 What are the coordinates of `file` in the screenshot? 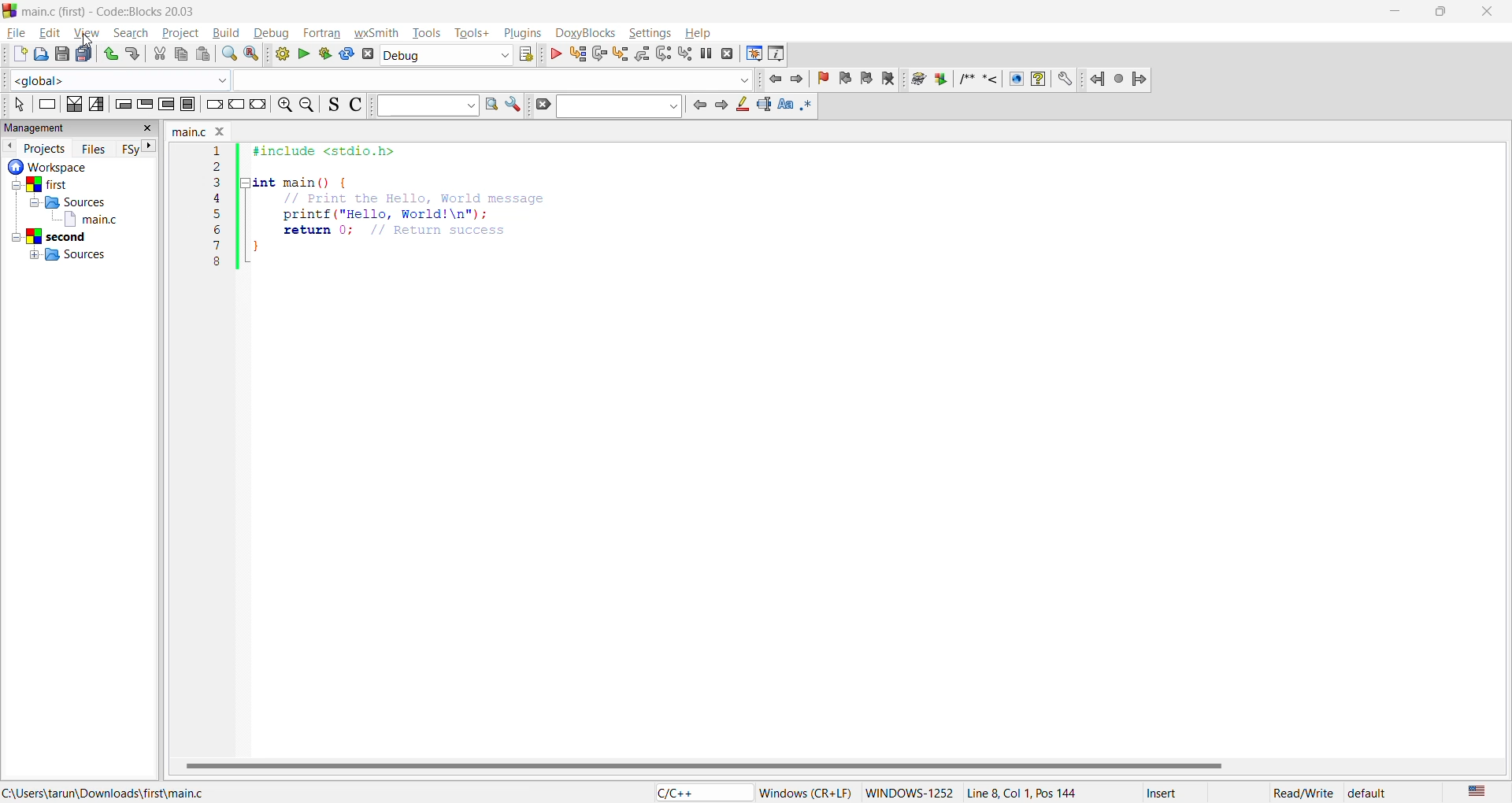 It's located at (18, 33).